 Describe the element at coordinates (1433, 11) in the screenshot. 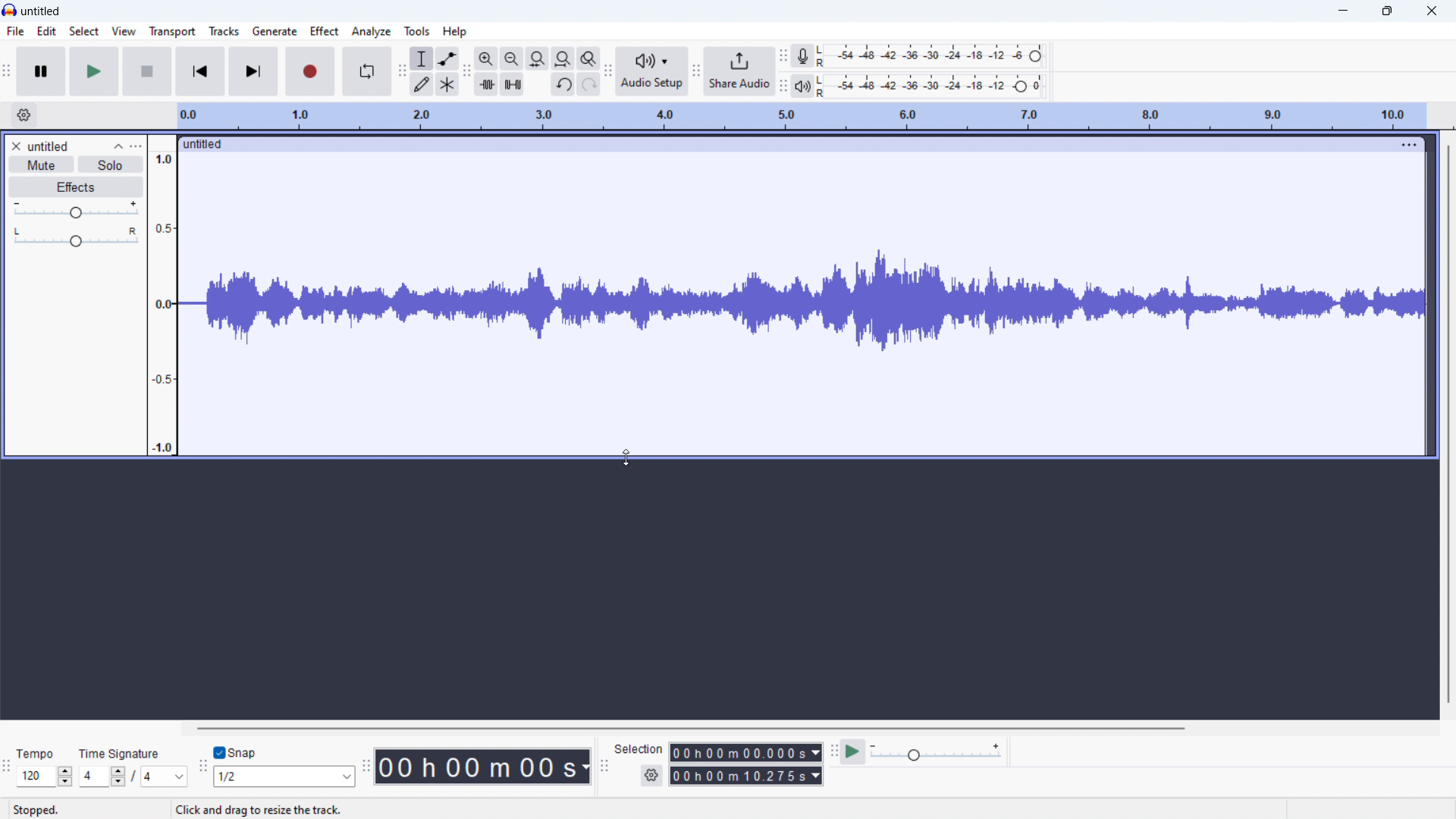

I see `close` at that location.